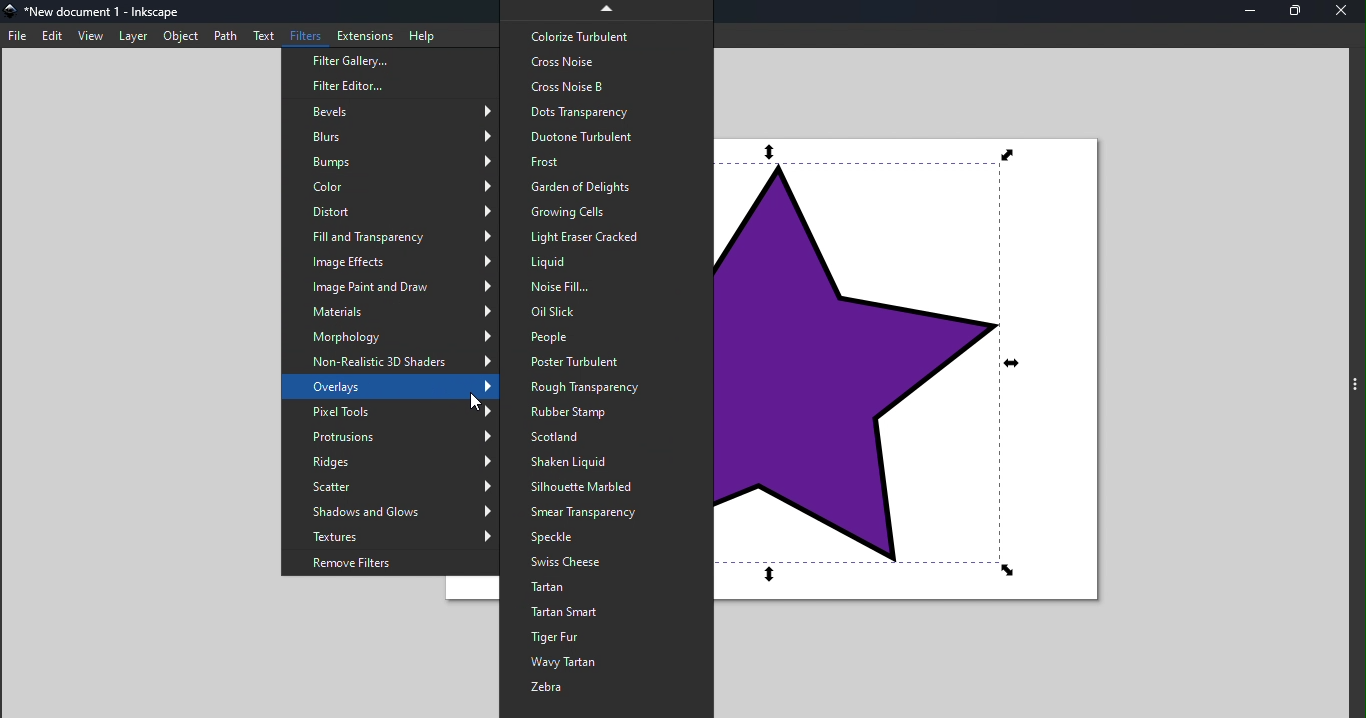 This screenshot has width=1366, height=718. Describe the element at coordinates (303, 35) in the screenshot. I see `Filters` at that location.